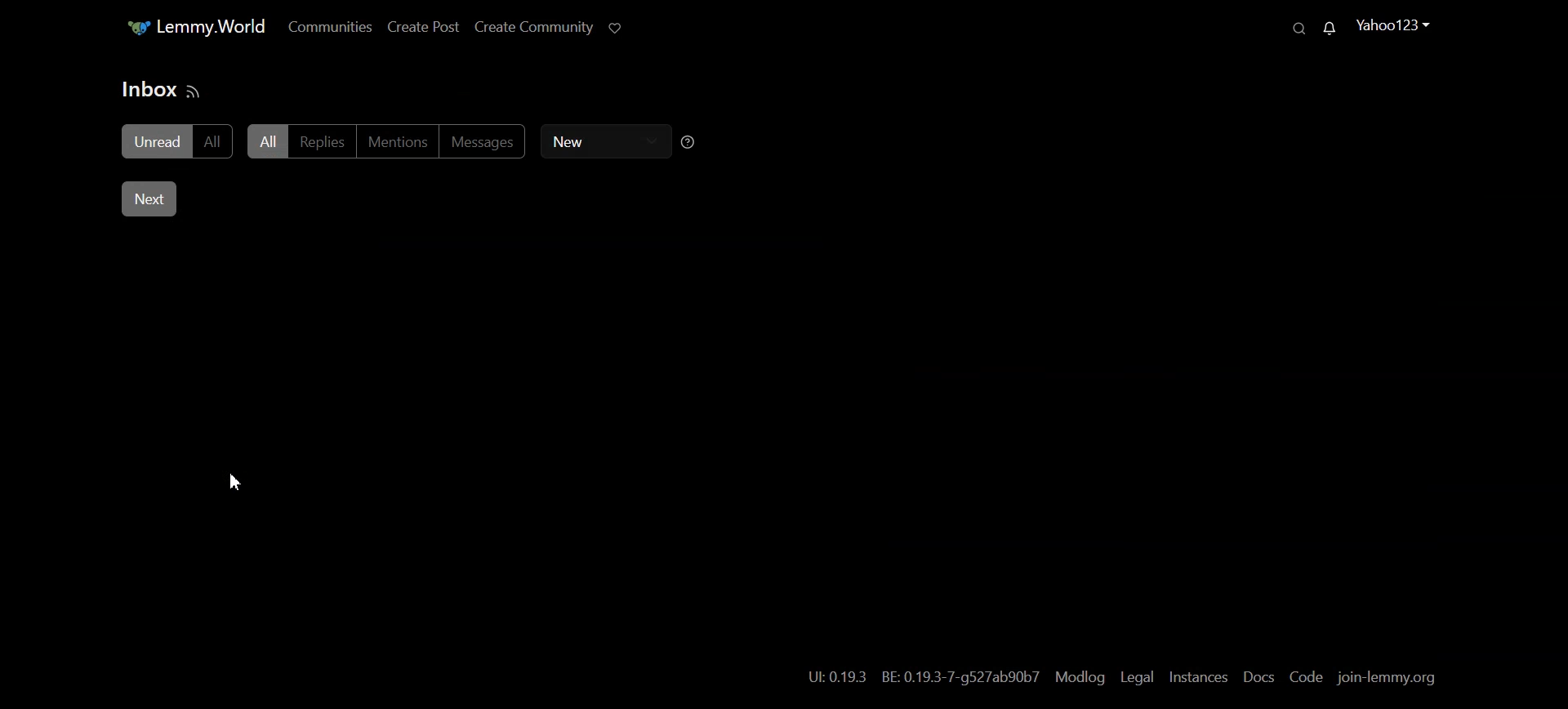 The width and height of the screenshot is (1568, 709). What do you see at coordinates (1389, 26) in the screenshot?
I see `Profile` at bounding box center [1389, 26].